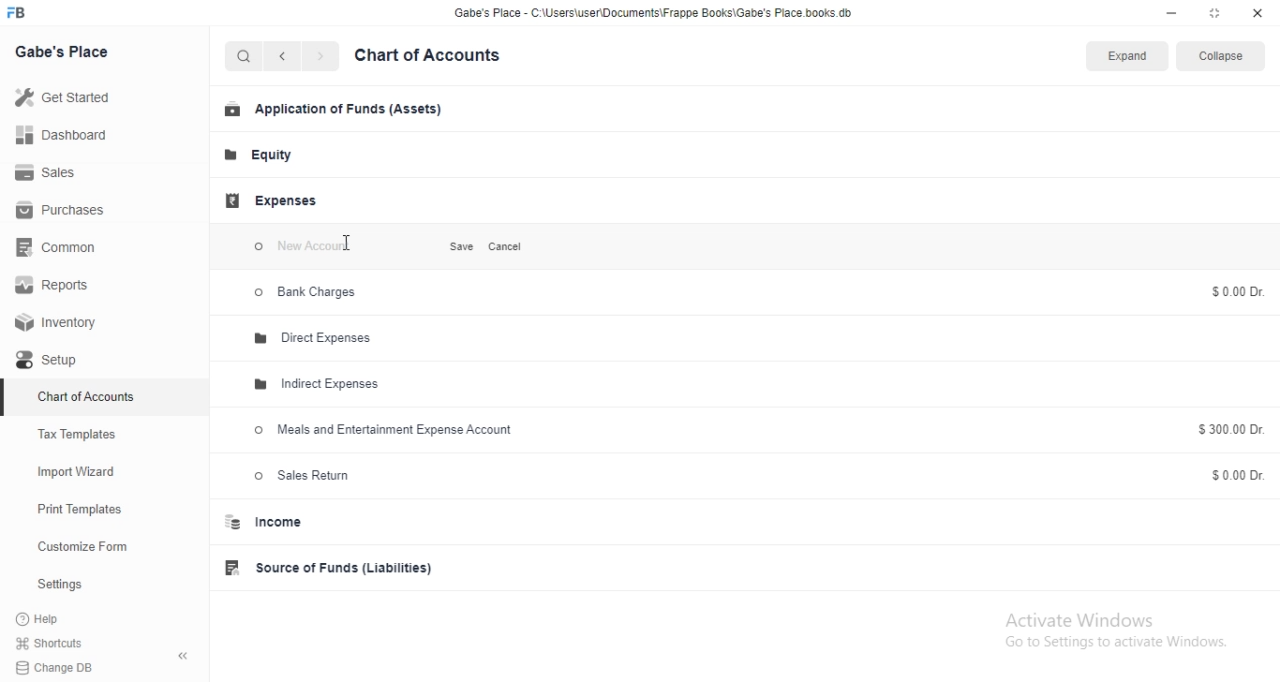 This screenshot has width=1280, height=682. Describe the element at coordinates (304, 475) in the screenshot. I see `Sales Return` at that location.